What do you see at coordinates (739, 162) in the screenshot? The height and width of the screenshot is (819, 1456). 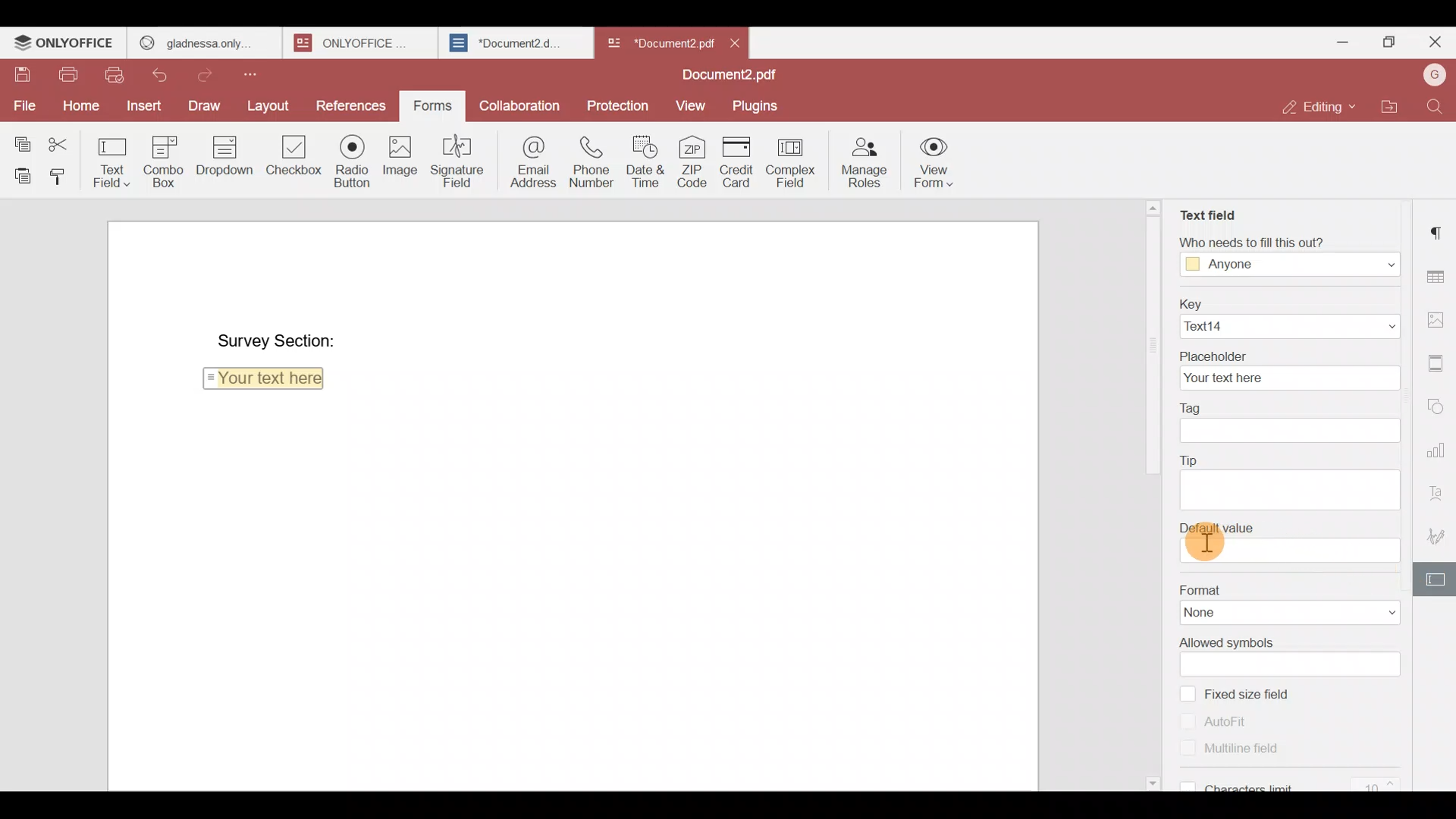 I see `Credit card` at bounding box center [739, 162].